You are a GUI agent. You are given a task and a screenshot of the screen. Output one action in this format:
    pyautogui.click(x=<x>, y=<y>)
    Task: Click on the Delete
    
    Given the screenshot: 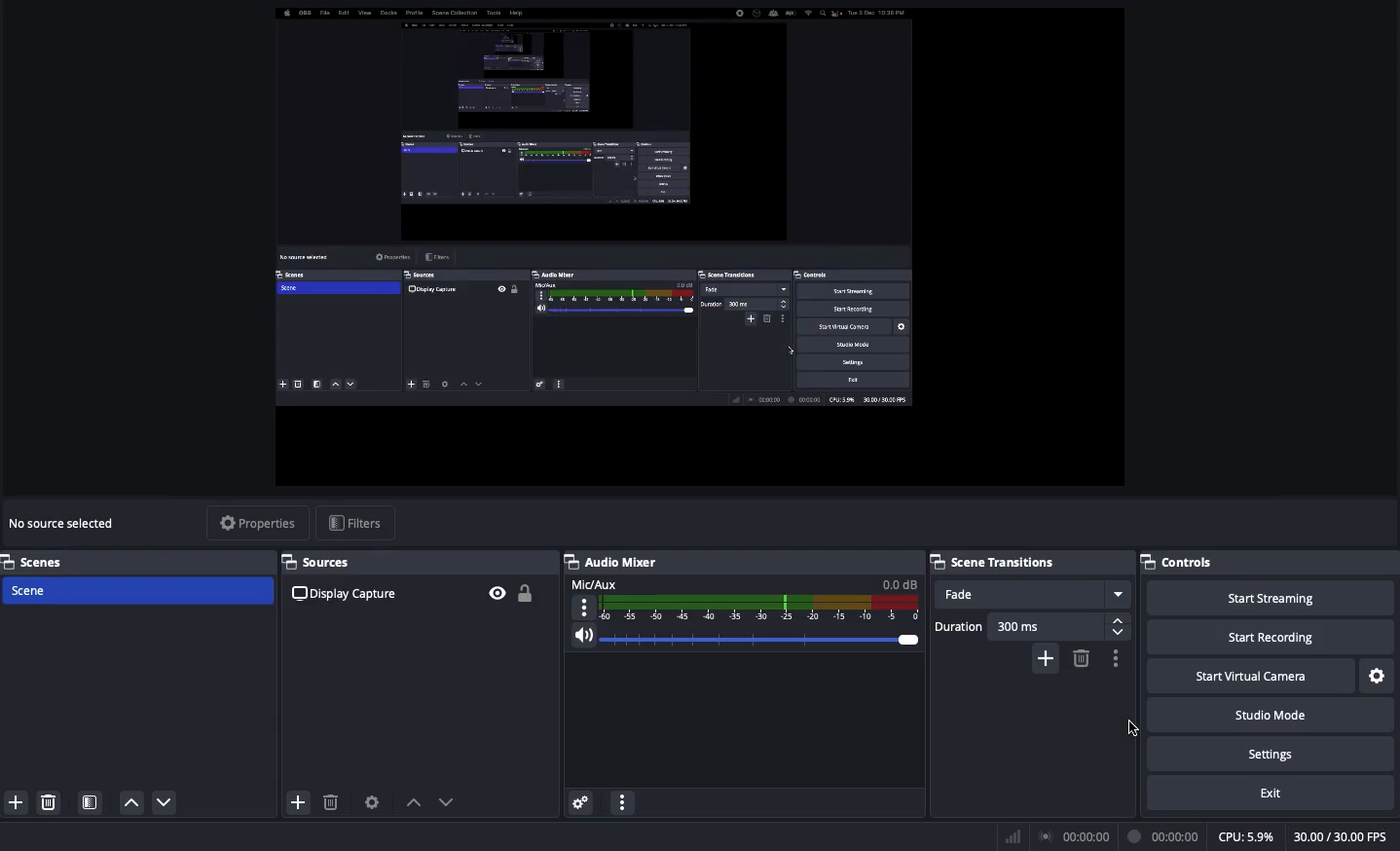 What is the action you would take?
    pyautogui.click(x=333, y=802)
    